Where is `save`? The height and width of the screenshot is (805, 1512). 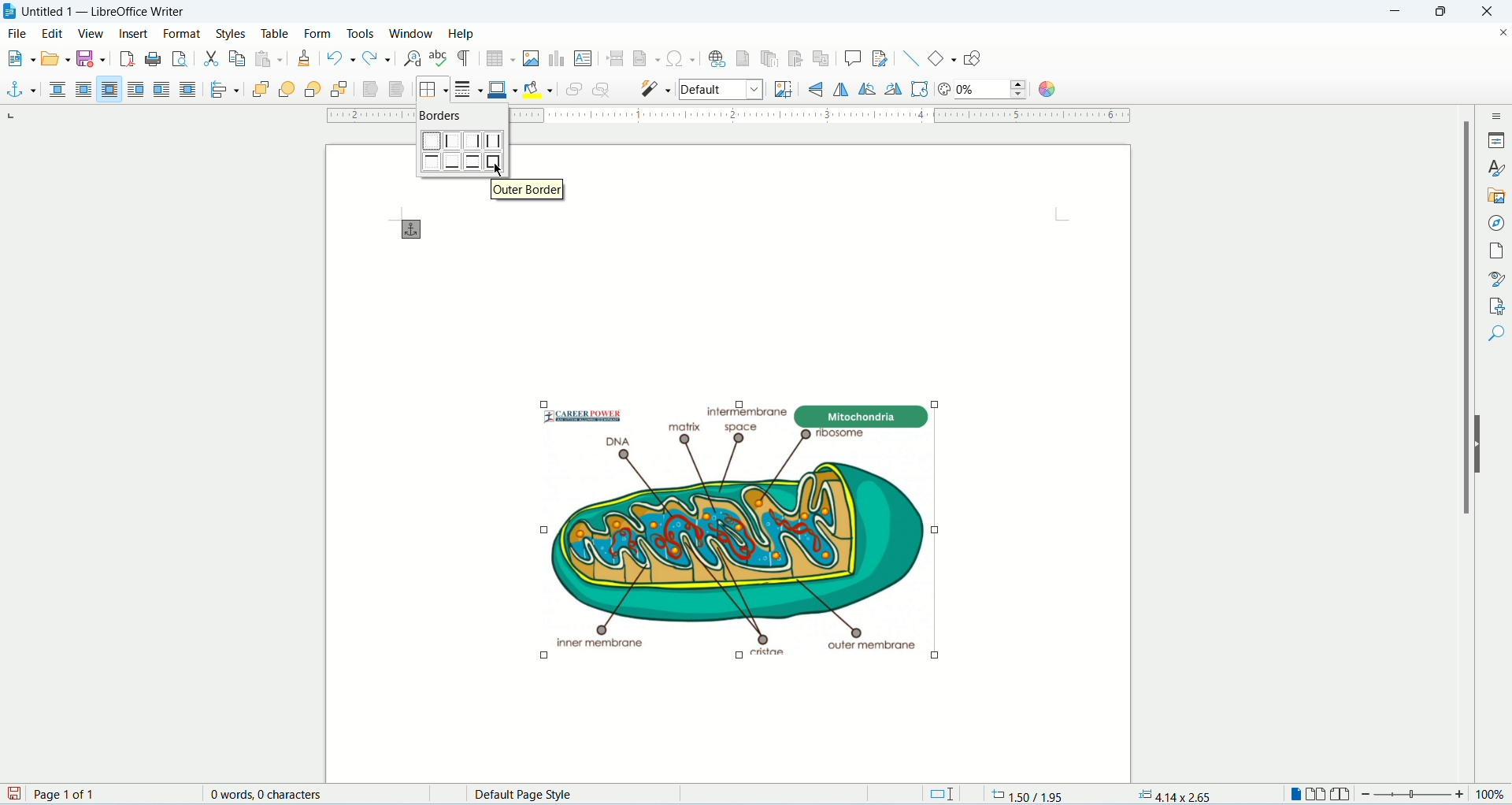 save is located at coordinates (90, 59).